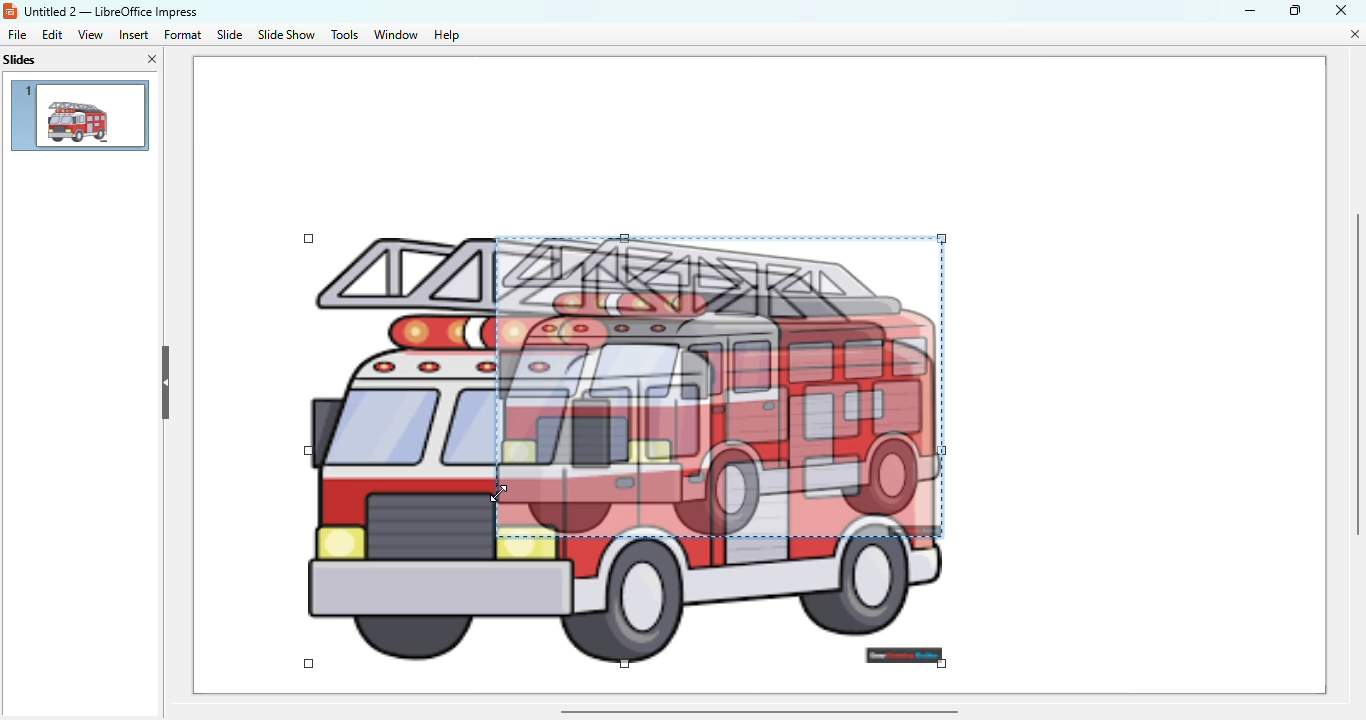 The image size is (1366, 720). Describe the element at coordinates (231, 35) in the screenshot. I see `slide` at that location.